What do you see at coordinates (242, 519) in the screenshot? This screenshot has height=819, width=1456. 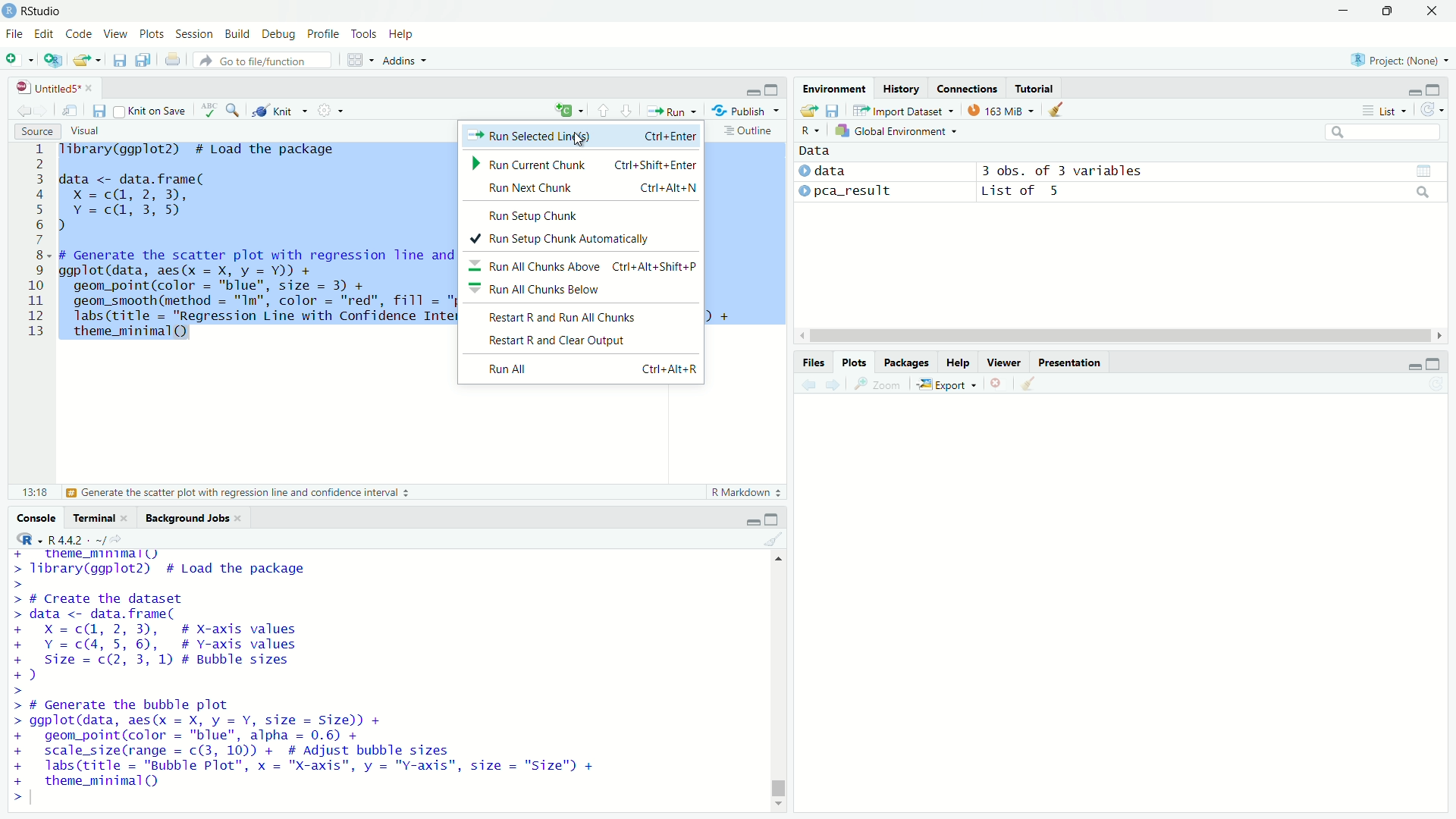 I see `close` at bounding box center [242, 519].